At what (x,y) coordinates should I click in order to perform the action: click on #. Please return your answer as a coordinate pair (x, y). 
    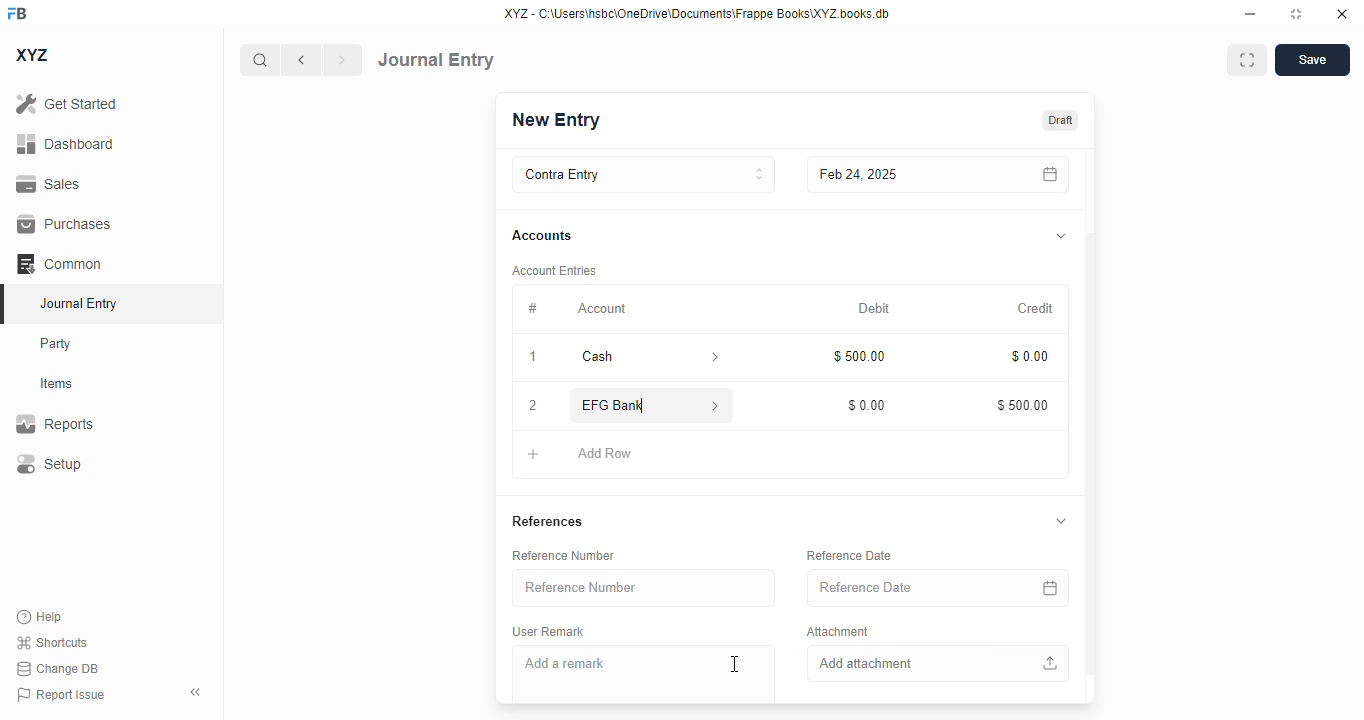
    Looking at the image, I should click on (532, 310).